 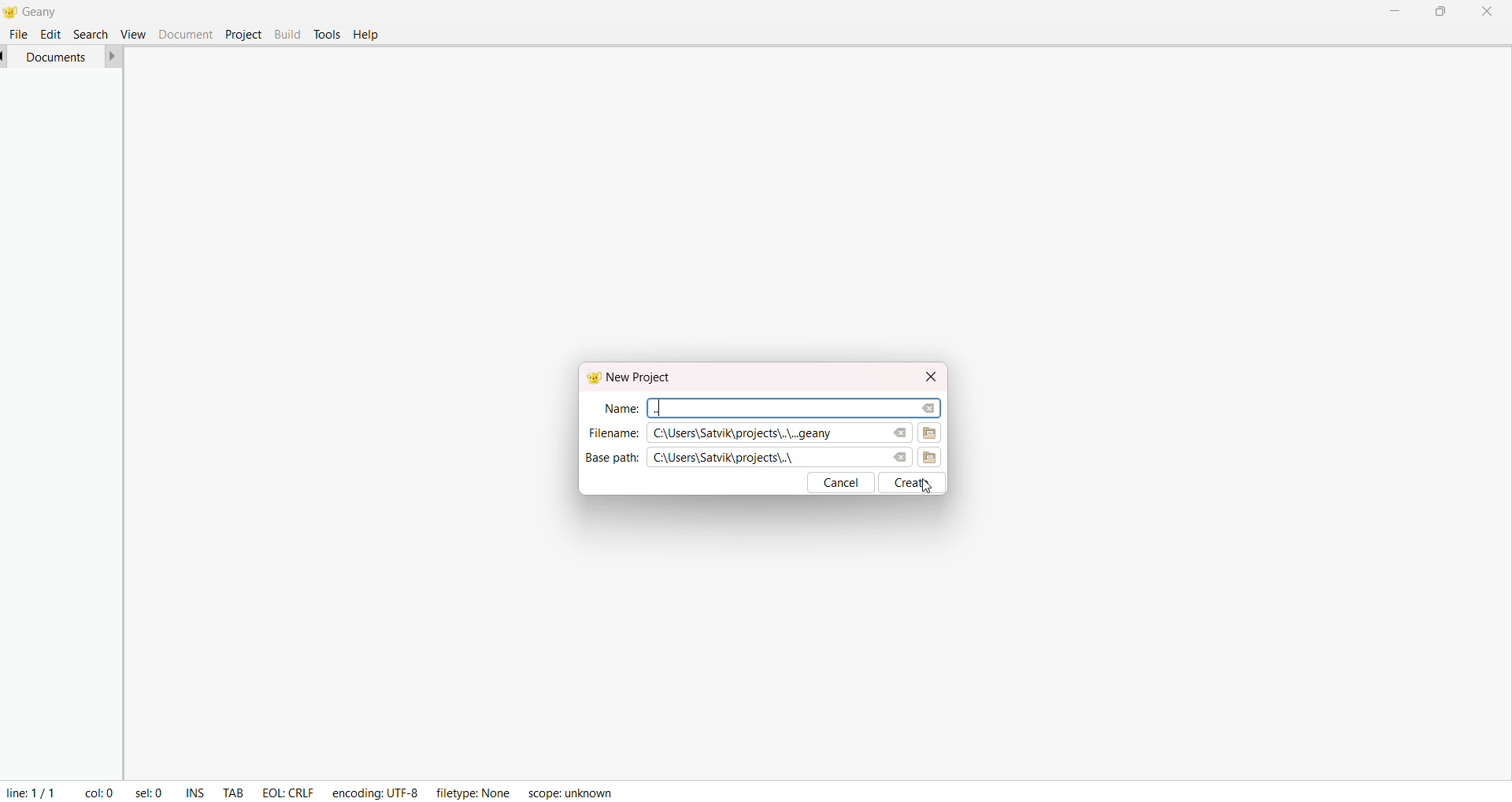 I want to click on search area, so click(x=794, y=405).